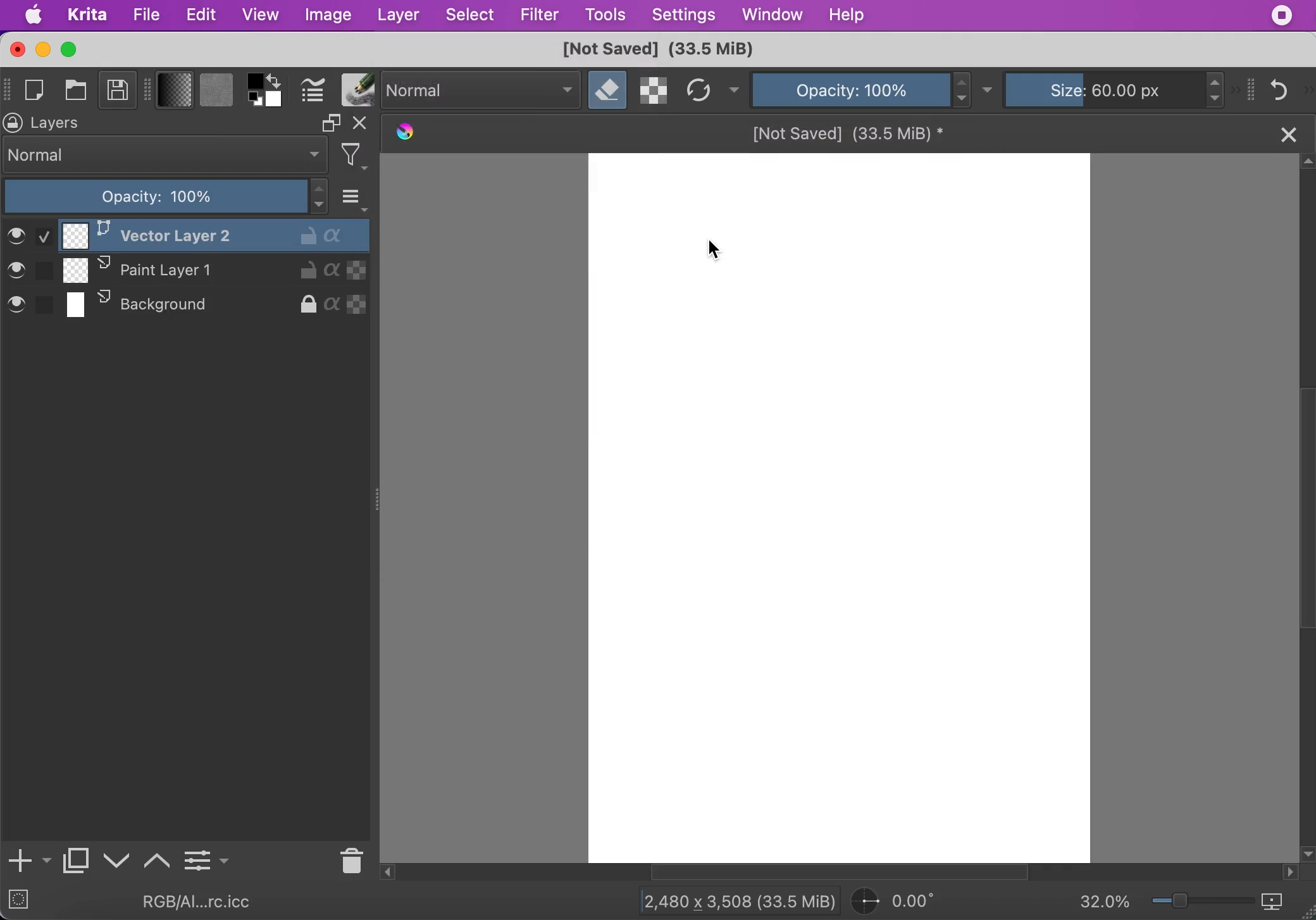 This screenshot has width=1316, height=920. Describe the element at coordinates (397, 16) in the screenshot. I see `layer` at that location.